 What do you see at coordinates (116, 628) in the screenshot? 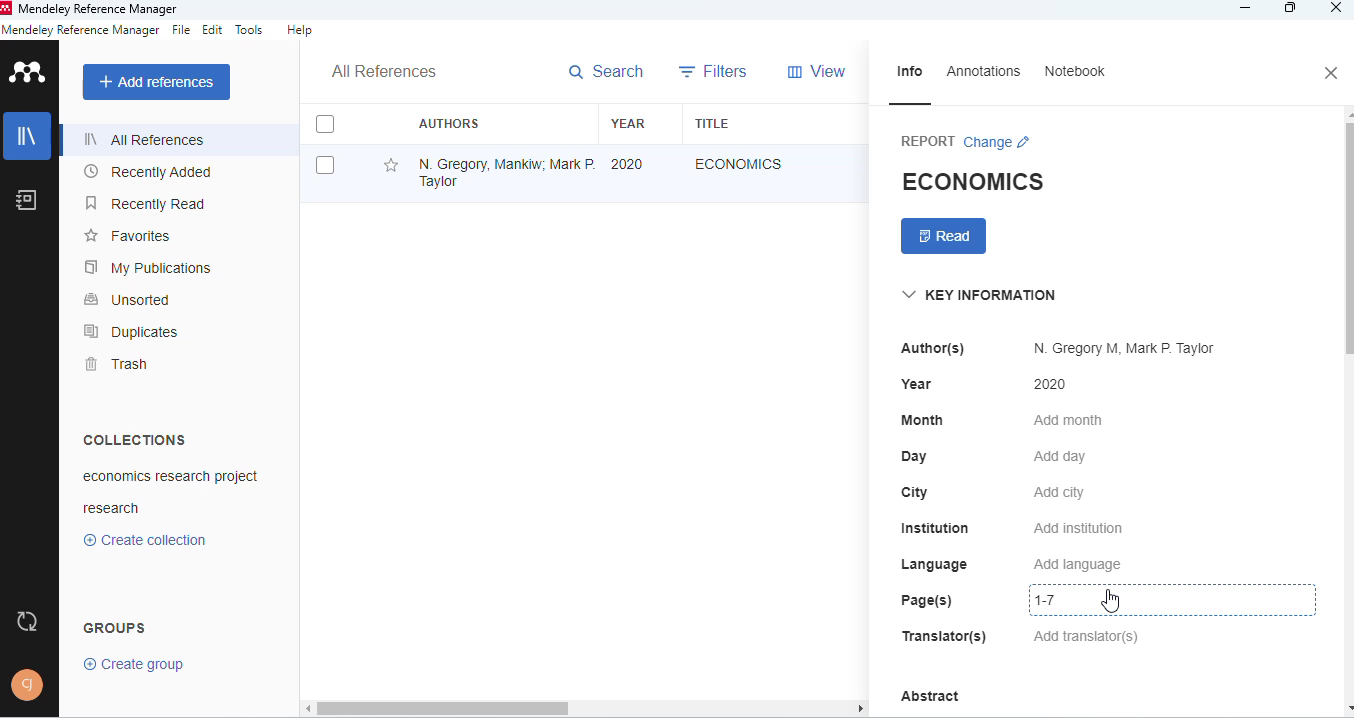
I see `groups` at bounding box center [116, 628].